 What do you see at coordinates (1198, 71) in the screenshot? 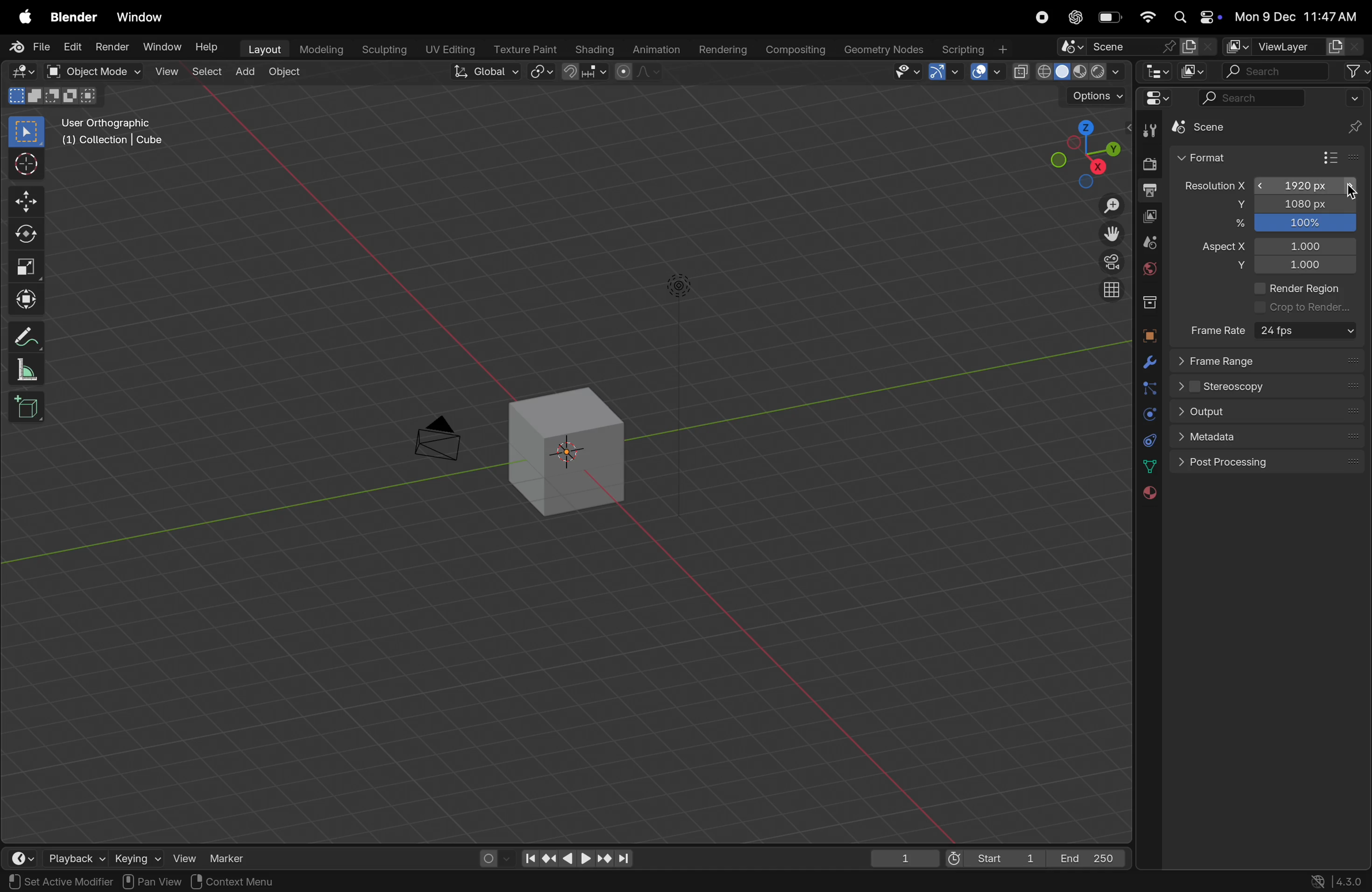
I see `display mode` at bounding box center [1198, 71].